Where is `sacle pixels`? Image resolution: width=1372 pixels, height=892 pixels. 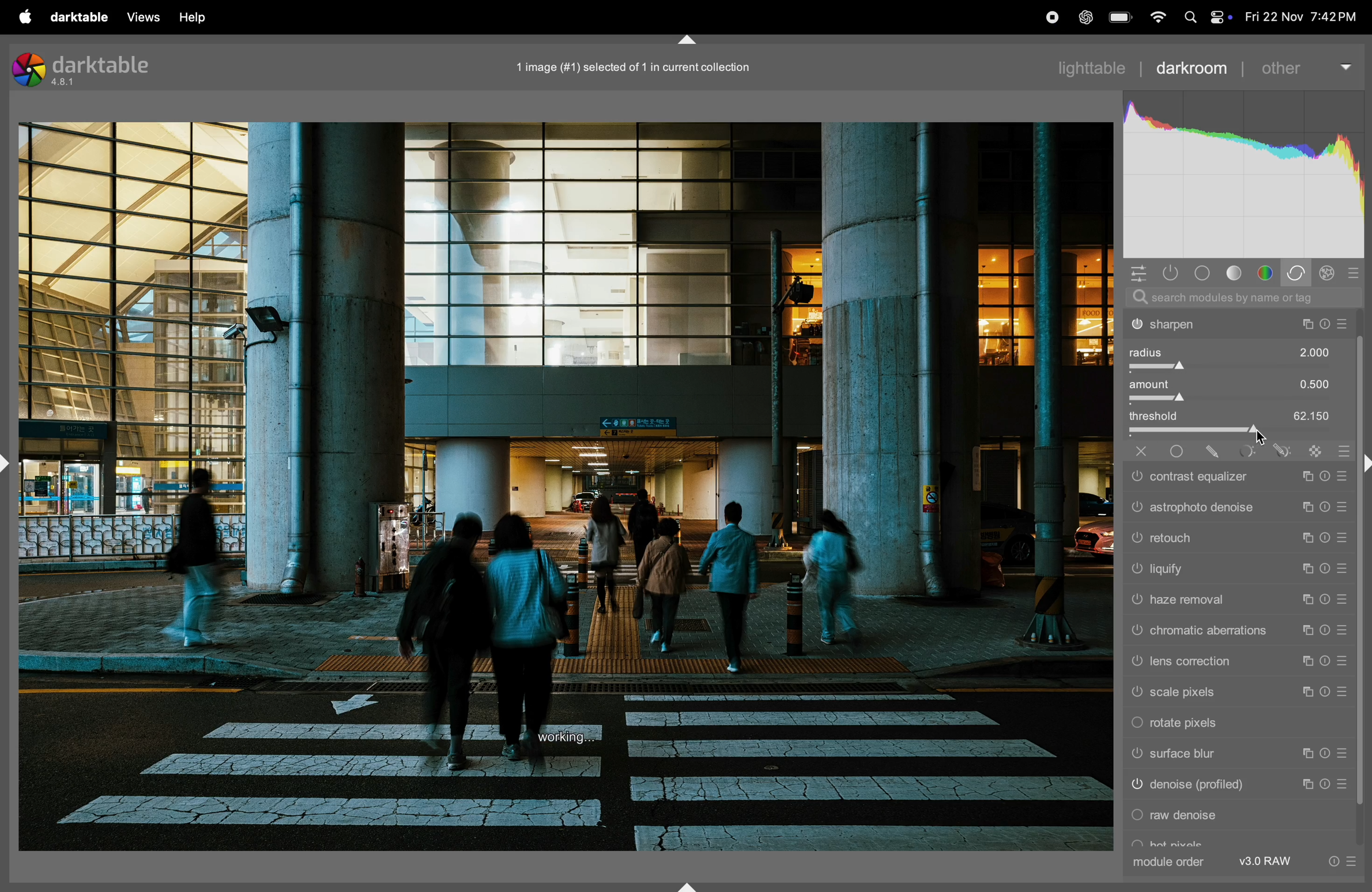 sacle pixels is located at coordinates (1237, 693).